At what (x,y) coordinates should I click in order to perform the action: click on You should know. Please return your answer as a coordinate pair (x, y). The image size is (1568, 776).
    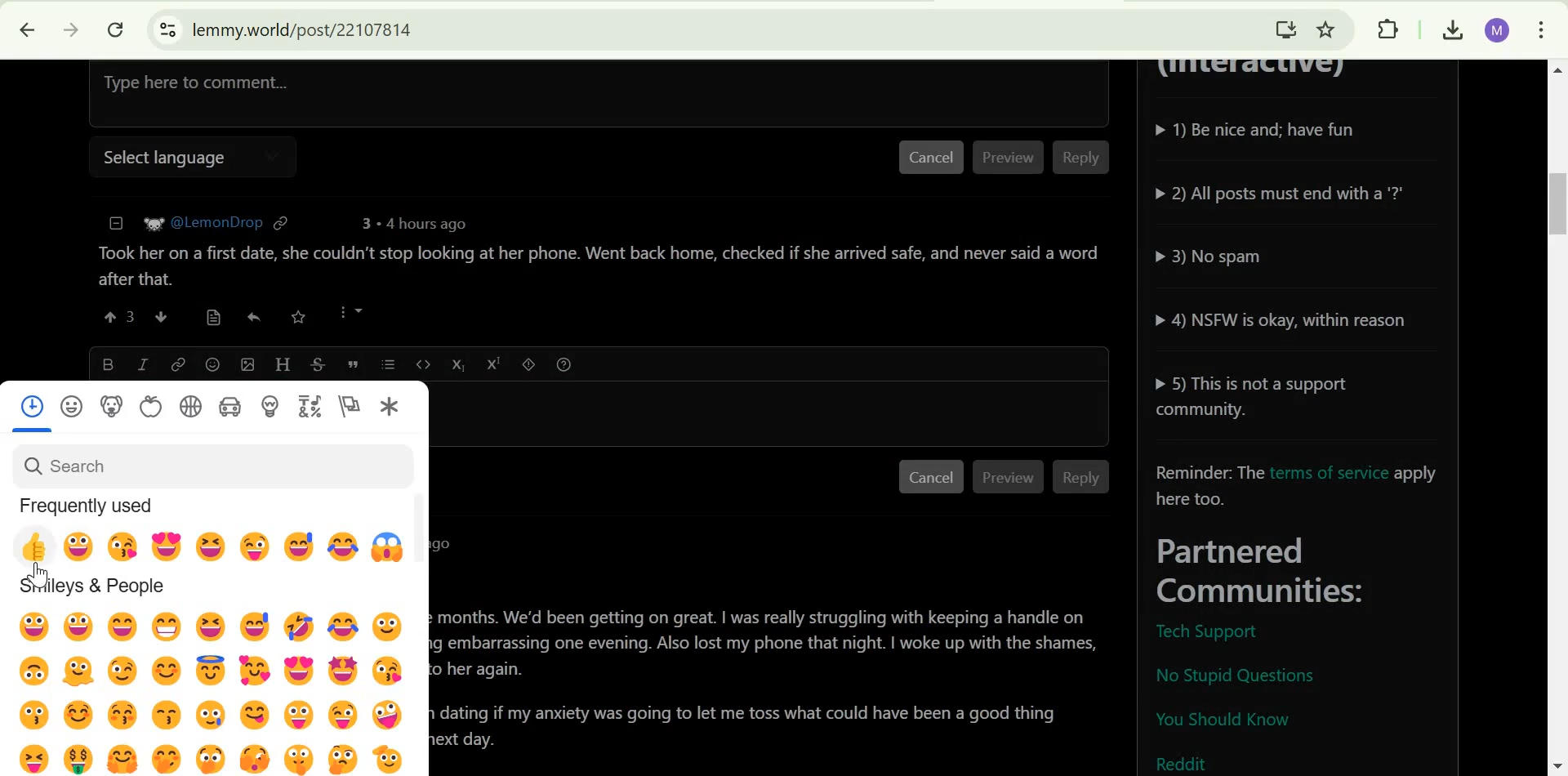
    Looking at the image, I should click on (1223, 722).